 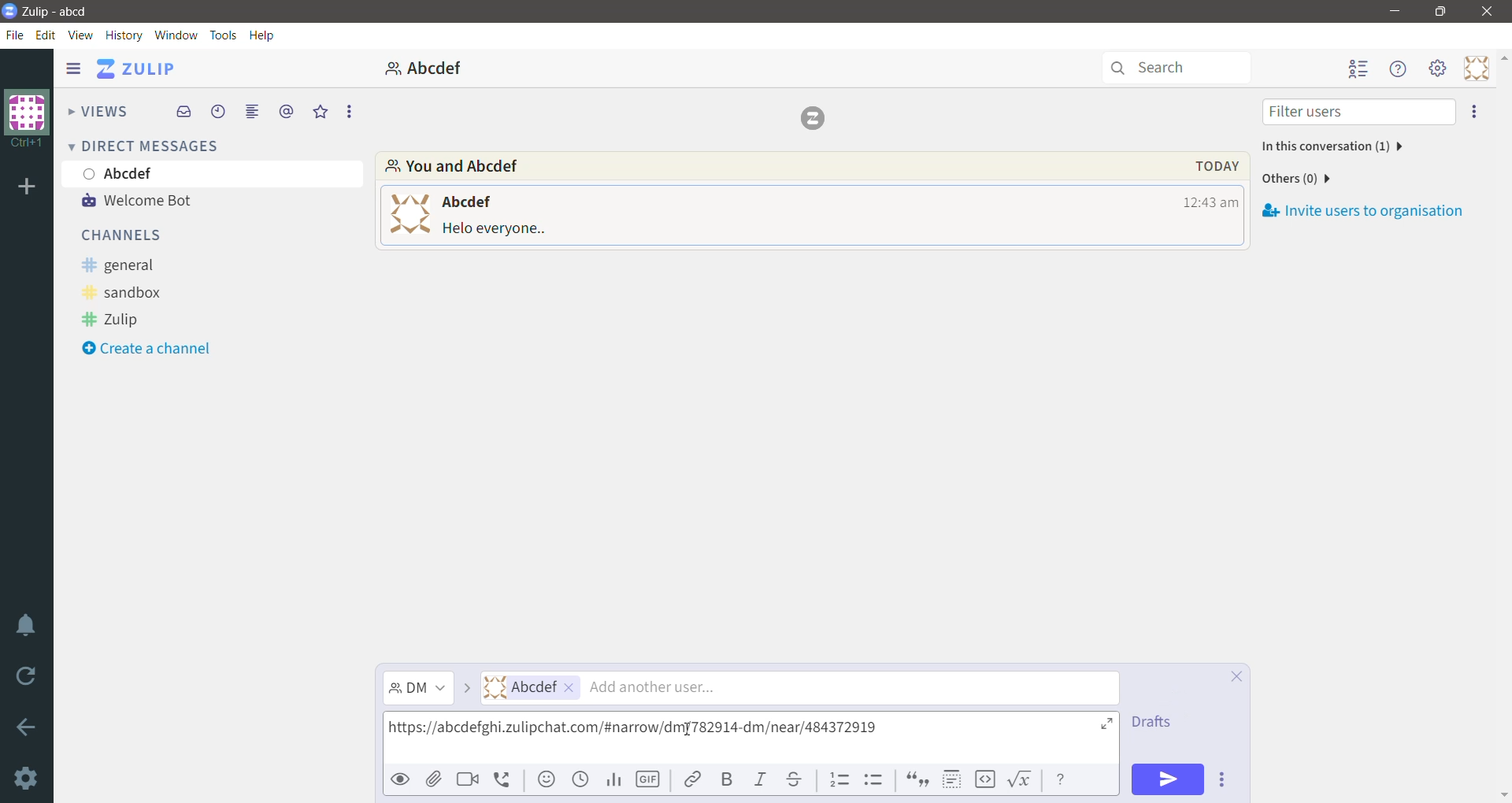 I want to click on User, so click(x=215, y=173).